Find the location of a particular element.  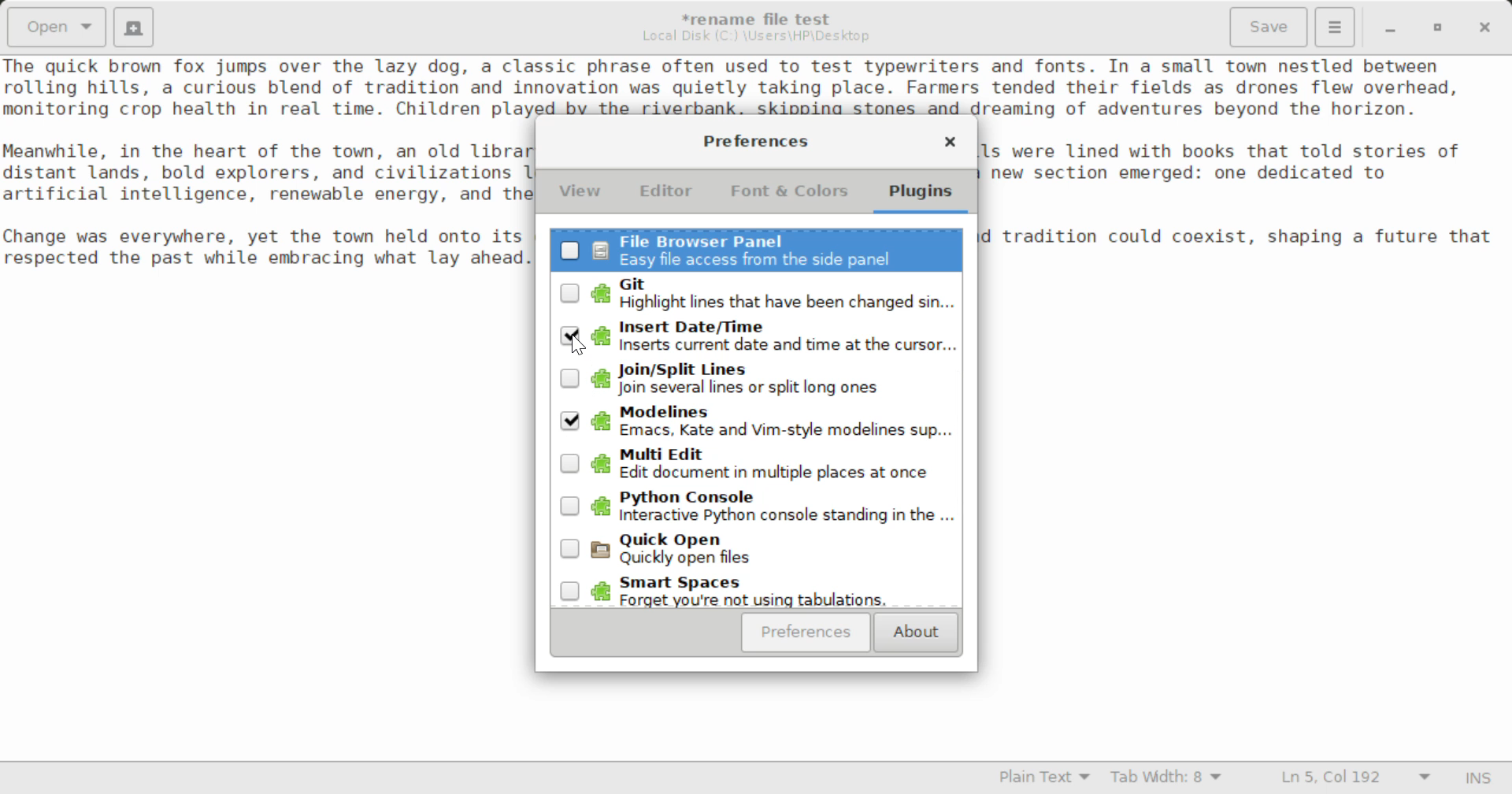

Font & Colors Tab is located at coordinates (789, 197).